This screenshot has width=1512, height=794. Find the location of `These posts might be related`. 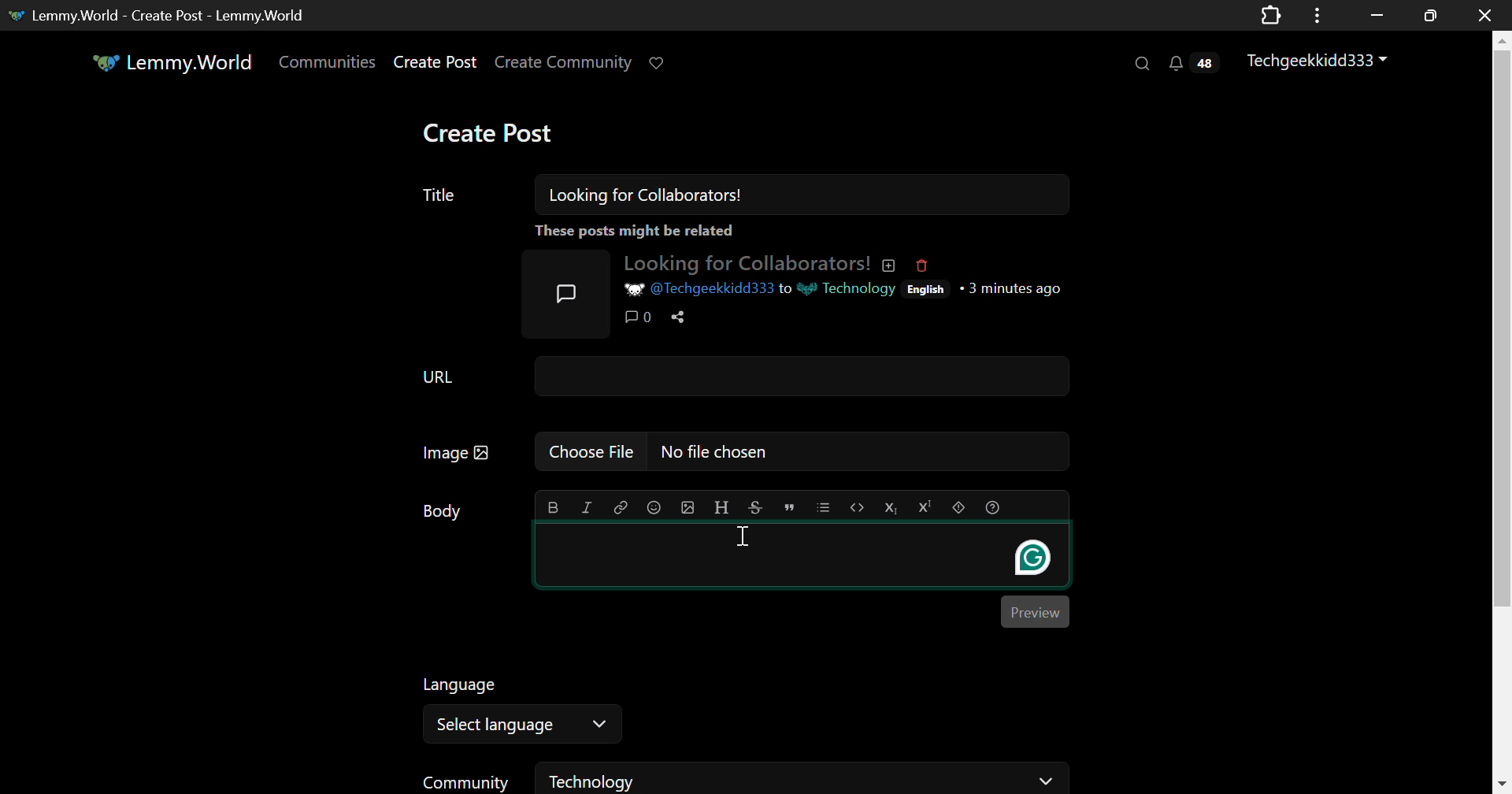

These posts might be related is located at coordinates (798, 232).